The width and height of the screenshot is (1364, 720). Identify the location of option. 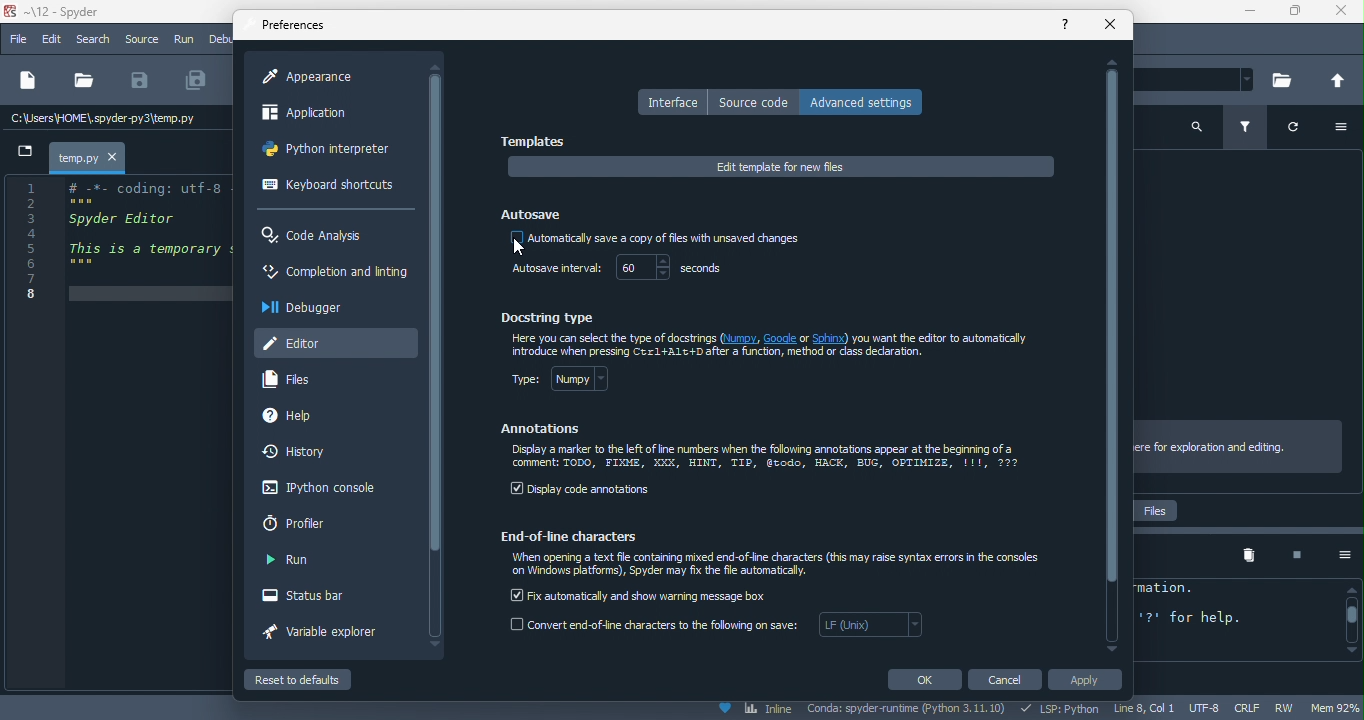
(1337, 555).